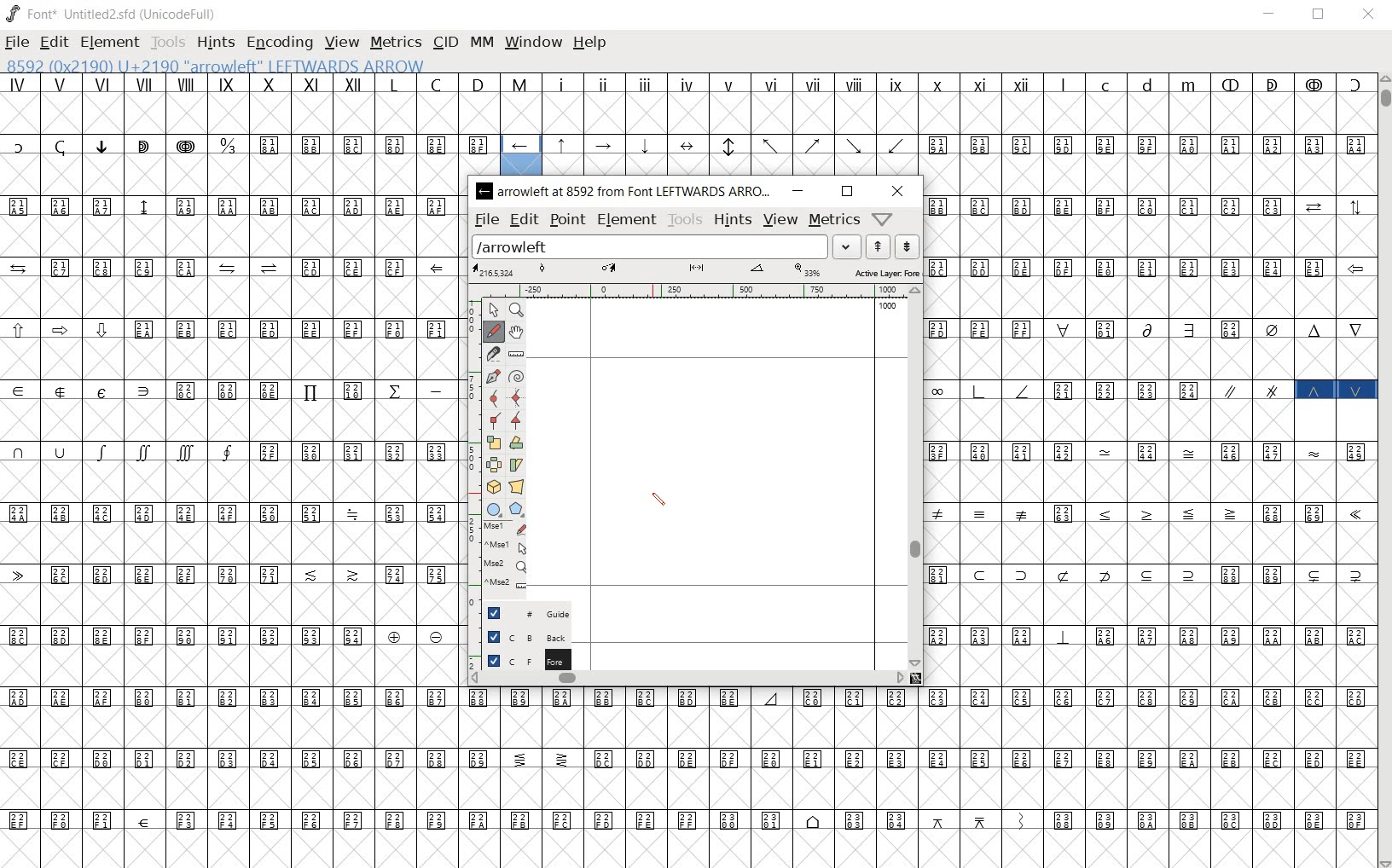  I want to click on edit, so click(53, 43).